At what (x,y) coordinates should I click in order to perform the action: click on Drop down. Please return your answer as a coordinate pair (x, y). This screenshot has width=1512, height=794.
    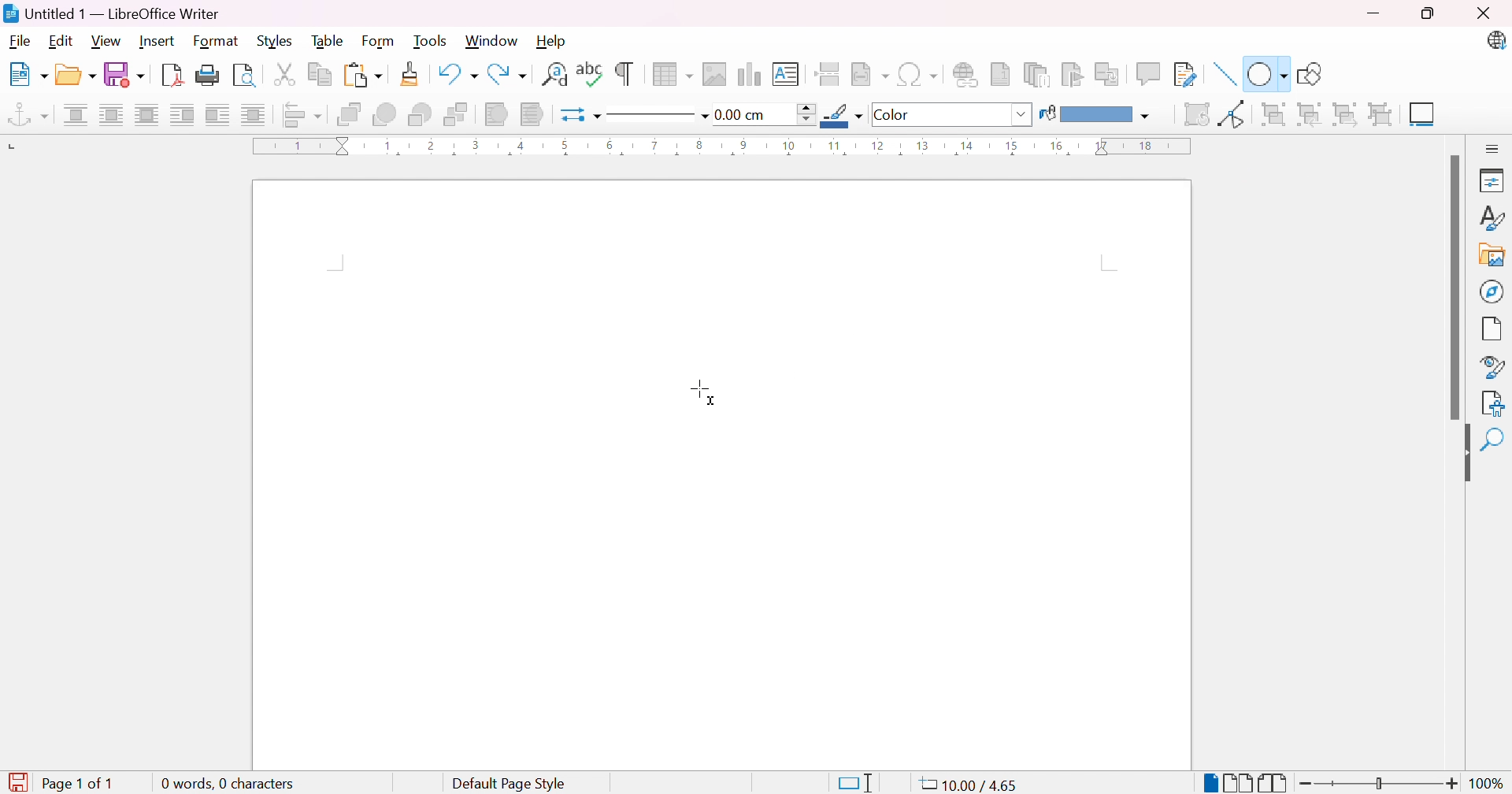
    Looking at the image, I should click on (1025, 115).